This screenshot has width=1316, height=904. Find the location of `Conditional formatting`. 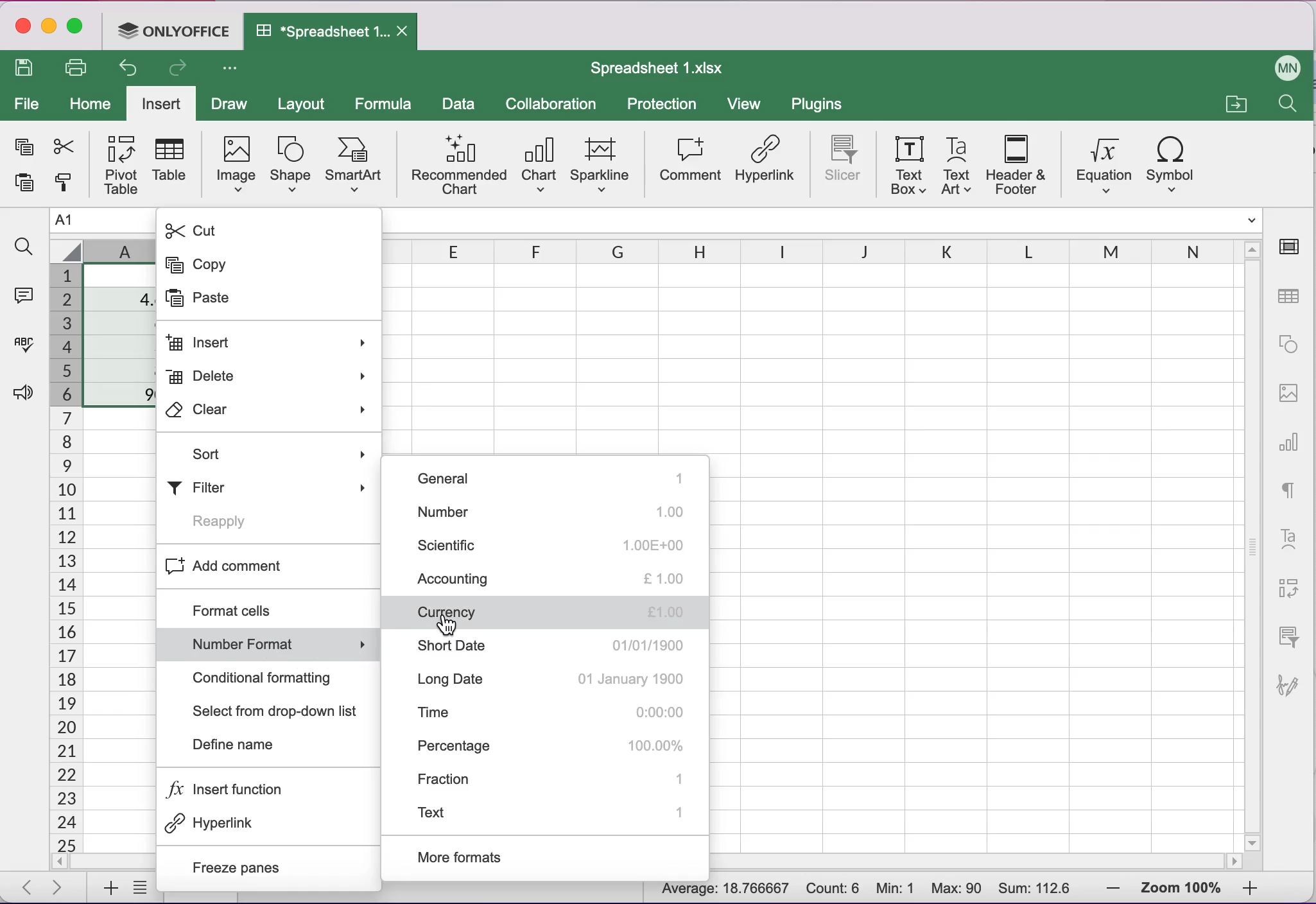

Conditional formatting is located at coordinates (275, 678).